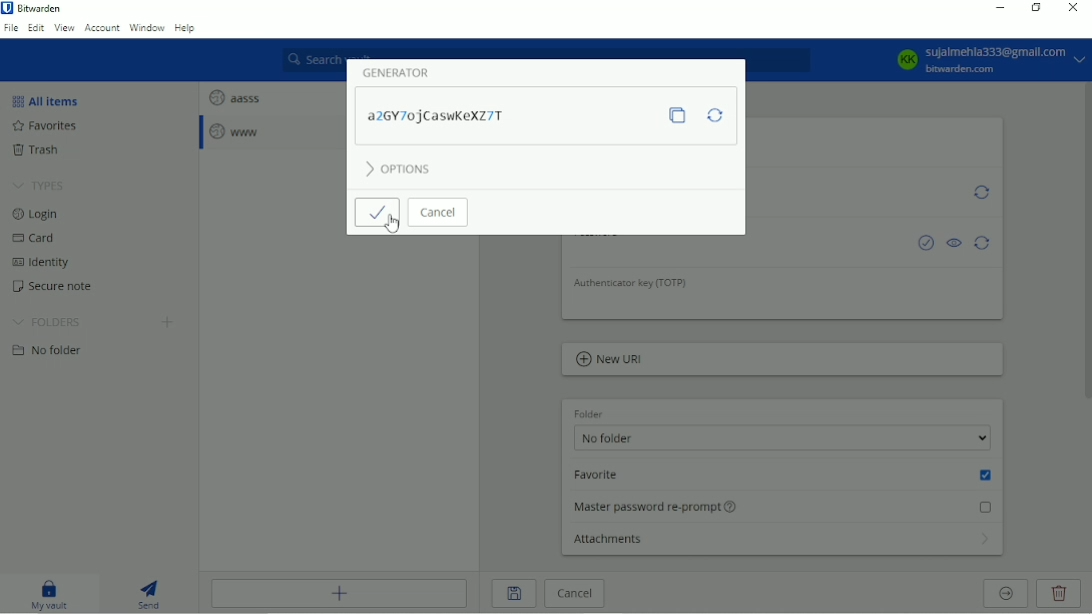 The width and height of the screenshot is (1092, 614). Describe the element at coordinates (57, 286) in the screenshot. I see `Secure note` at that location.